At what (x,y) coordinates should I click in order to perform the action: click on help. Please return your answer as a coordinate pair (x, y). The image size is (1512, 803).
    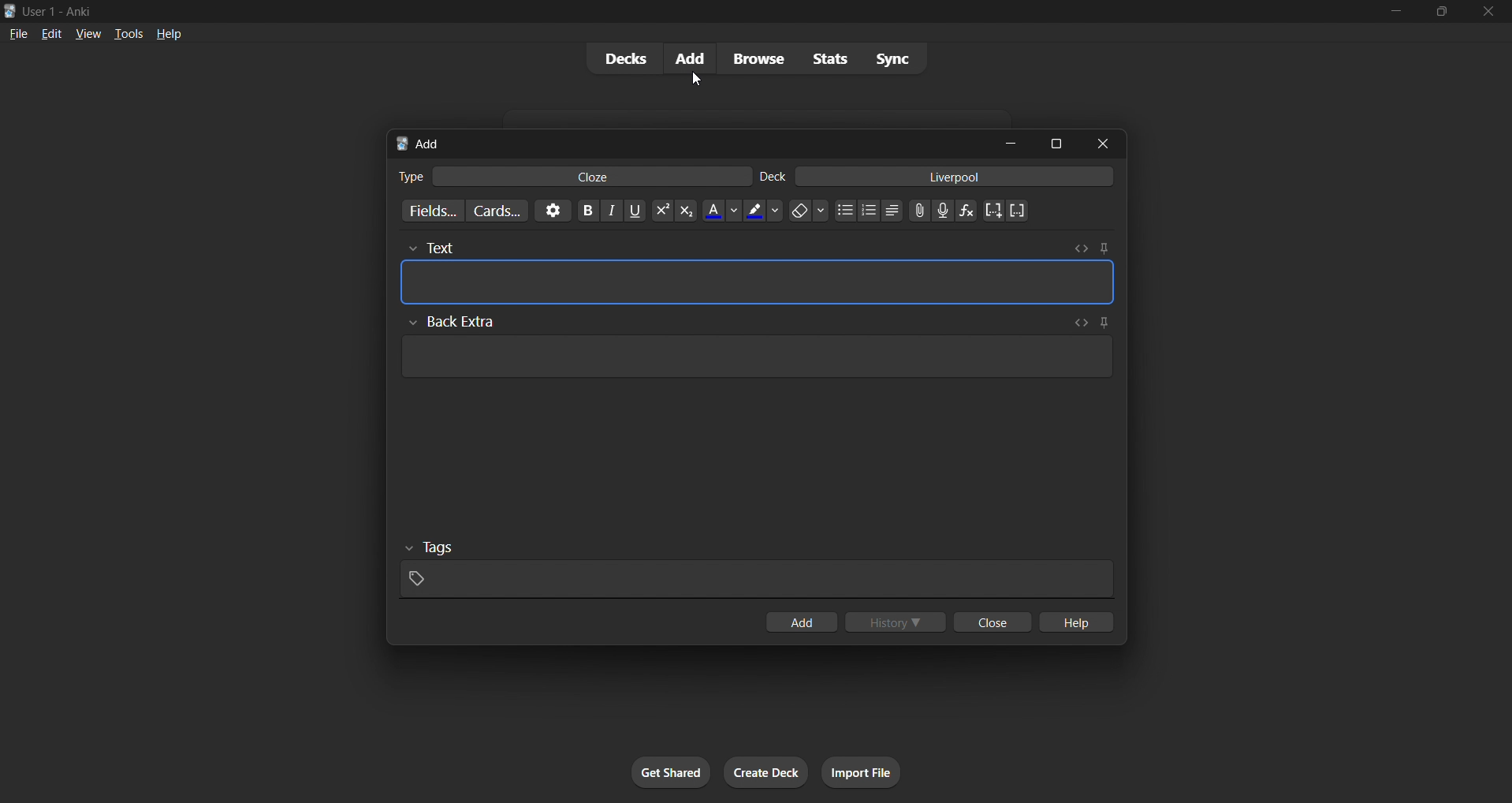
    Looking at the image, I should click on (1074, 622).